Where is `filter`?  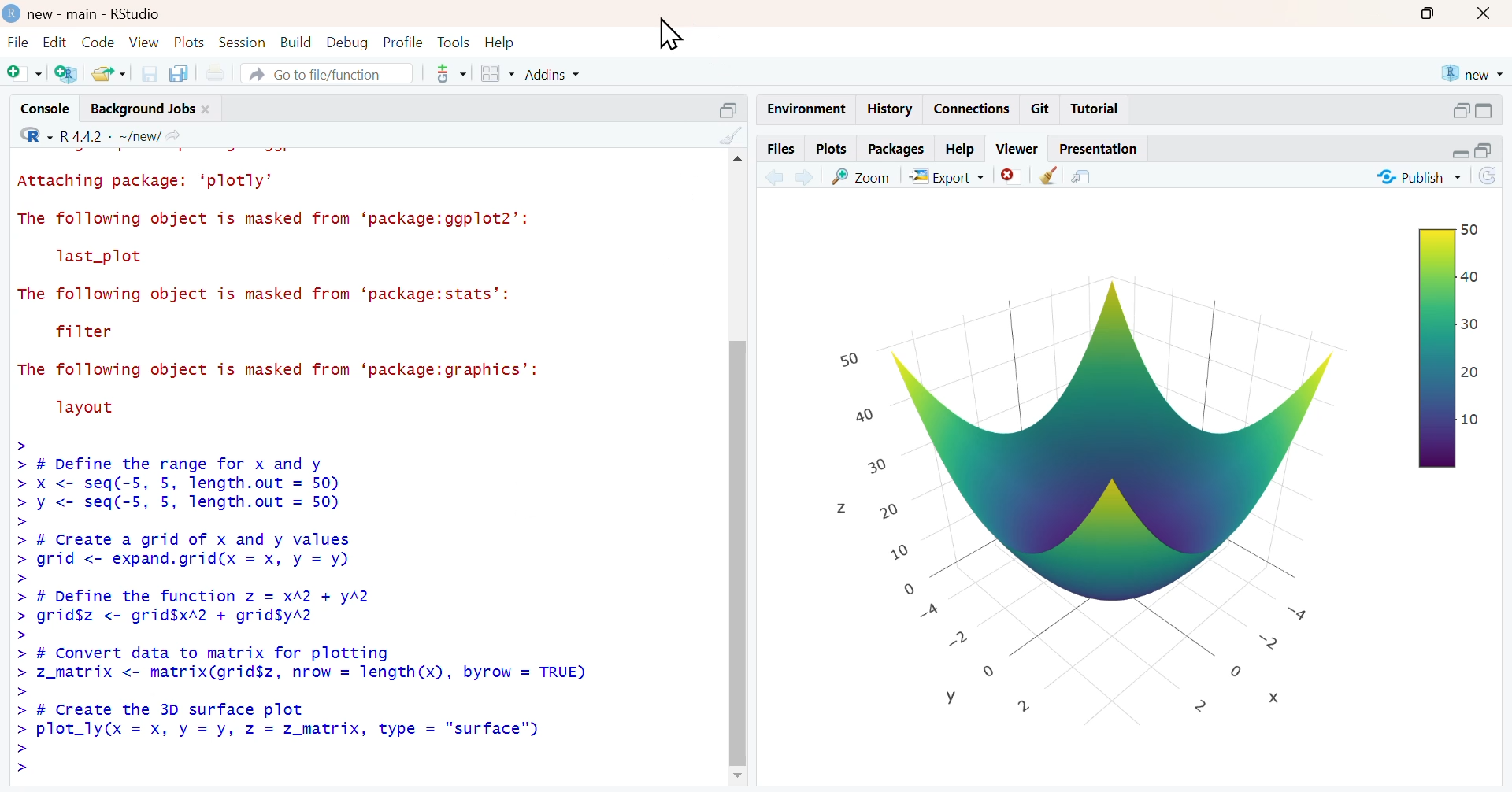 filter is located at coordinates (89, 331).